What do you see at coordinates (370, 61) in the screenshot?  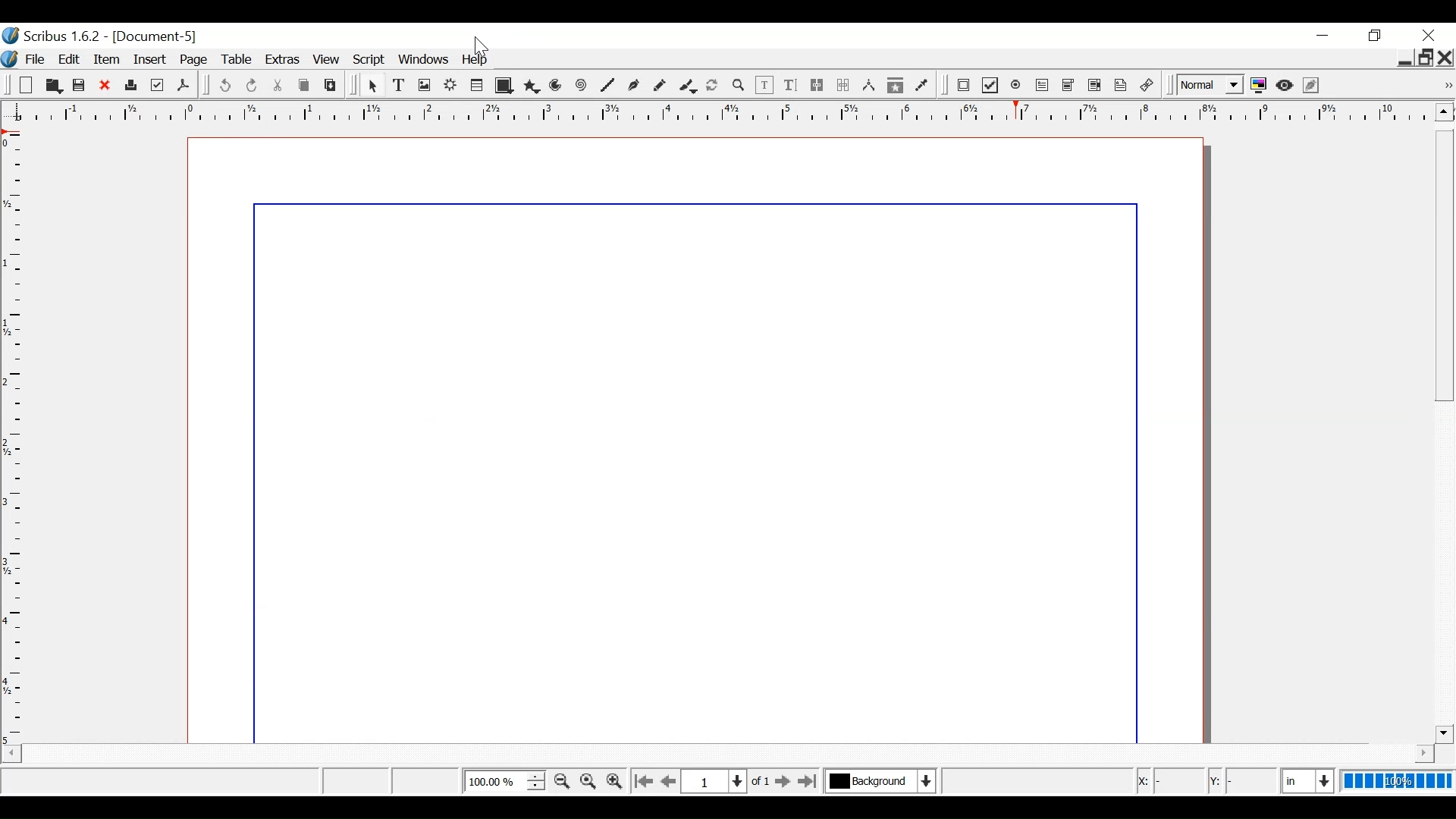 I see `Script` at bounding box center [370, 61].